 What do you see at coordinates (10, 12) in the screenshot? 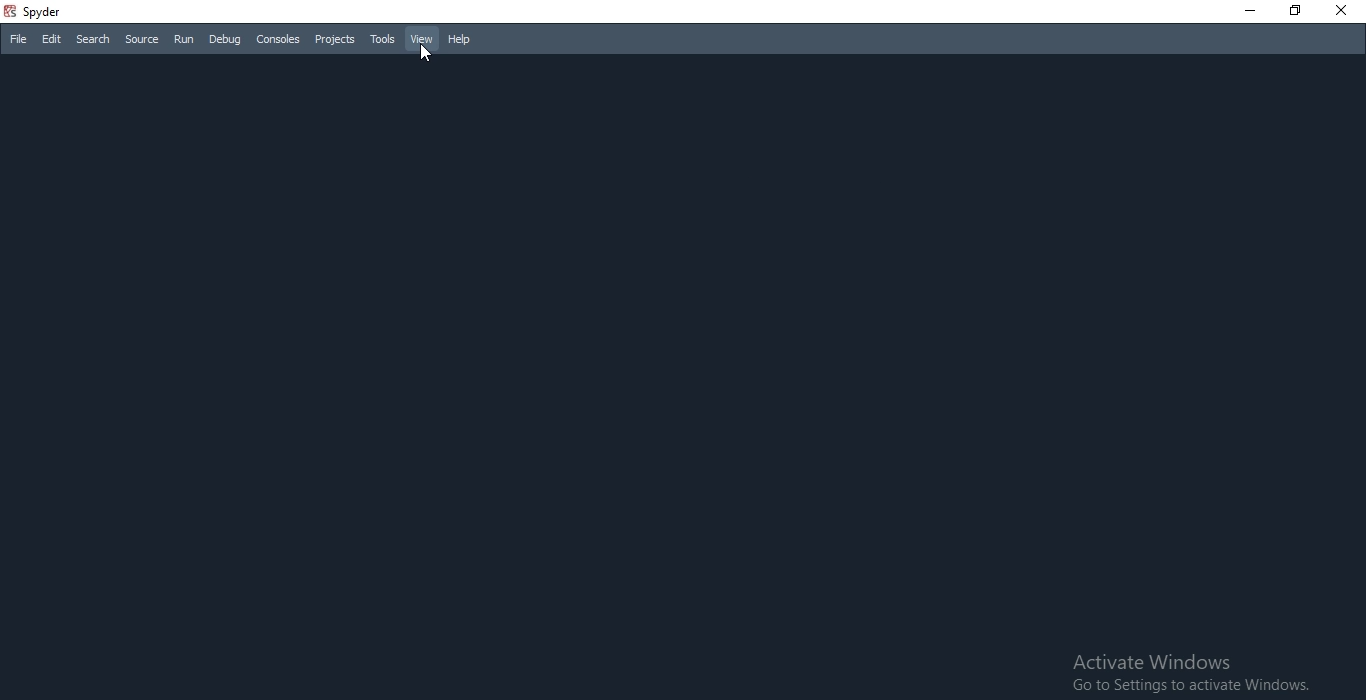
I see `spyder logo` at bounding box center [10, 12].